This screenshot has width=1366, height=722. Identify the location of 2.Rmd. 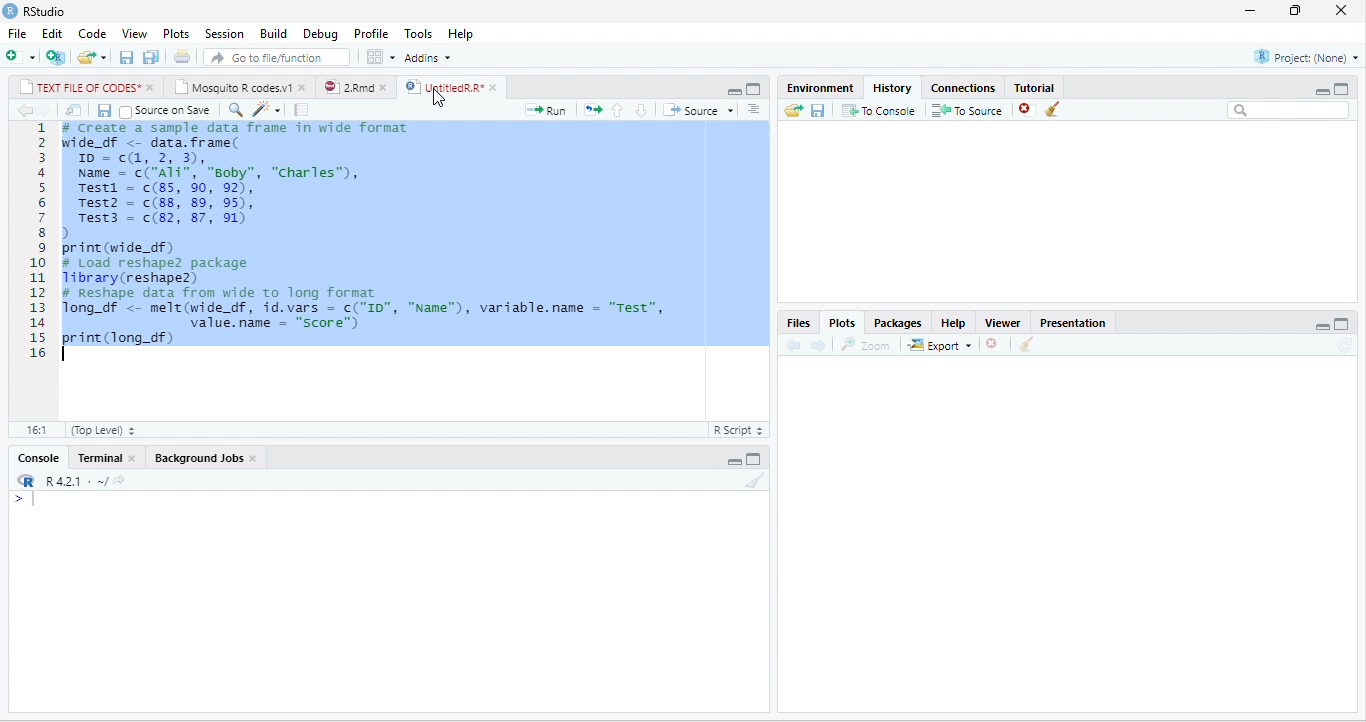
(348, 87).